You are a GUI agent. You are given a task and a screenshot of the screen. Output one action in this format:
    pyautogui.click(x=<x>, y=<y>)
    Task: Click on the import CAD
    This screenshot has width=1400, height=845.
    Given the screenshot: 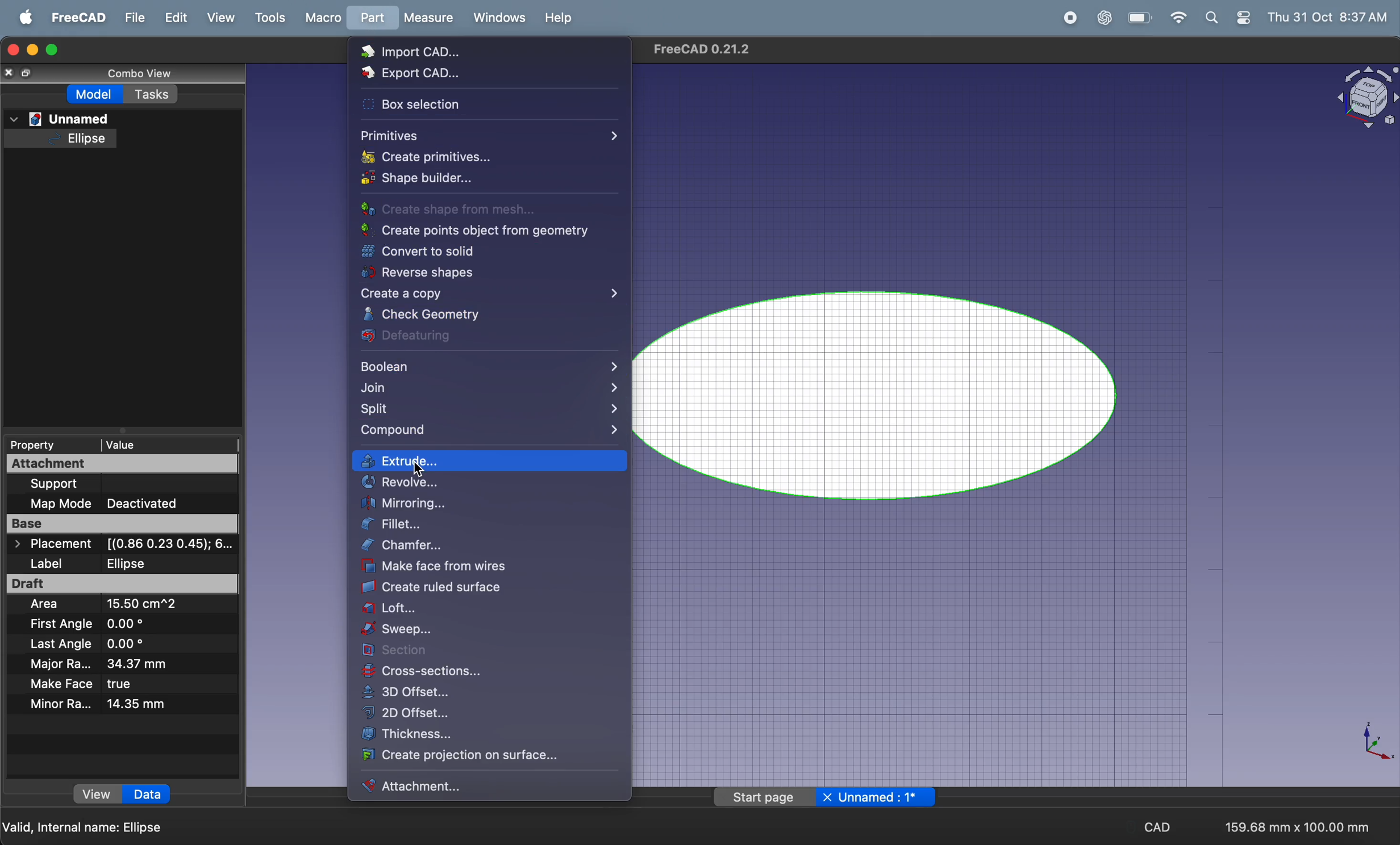 What is the action you would take?
    pyautogui.click(x=452, y=52)
    